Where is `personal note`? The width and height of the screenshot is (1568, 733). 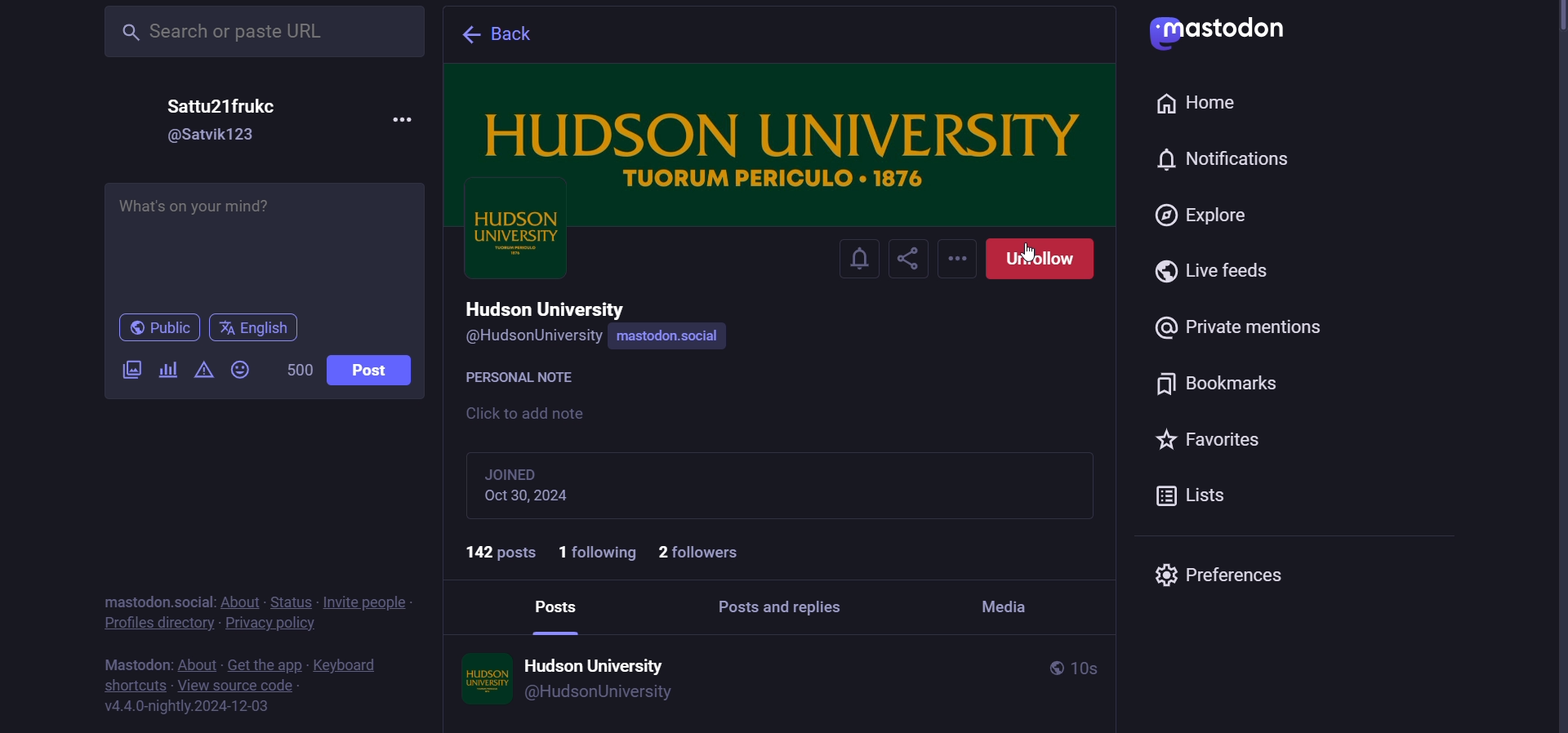 personal note is located at coordinates (524, 375).